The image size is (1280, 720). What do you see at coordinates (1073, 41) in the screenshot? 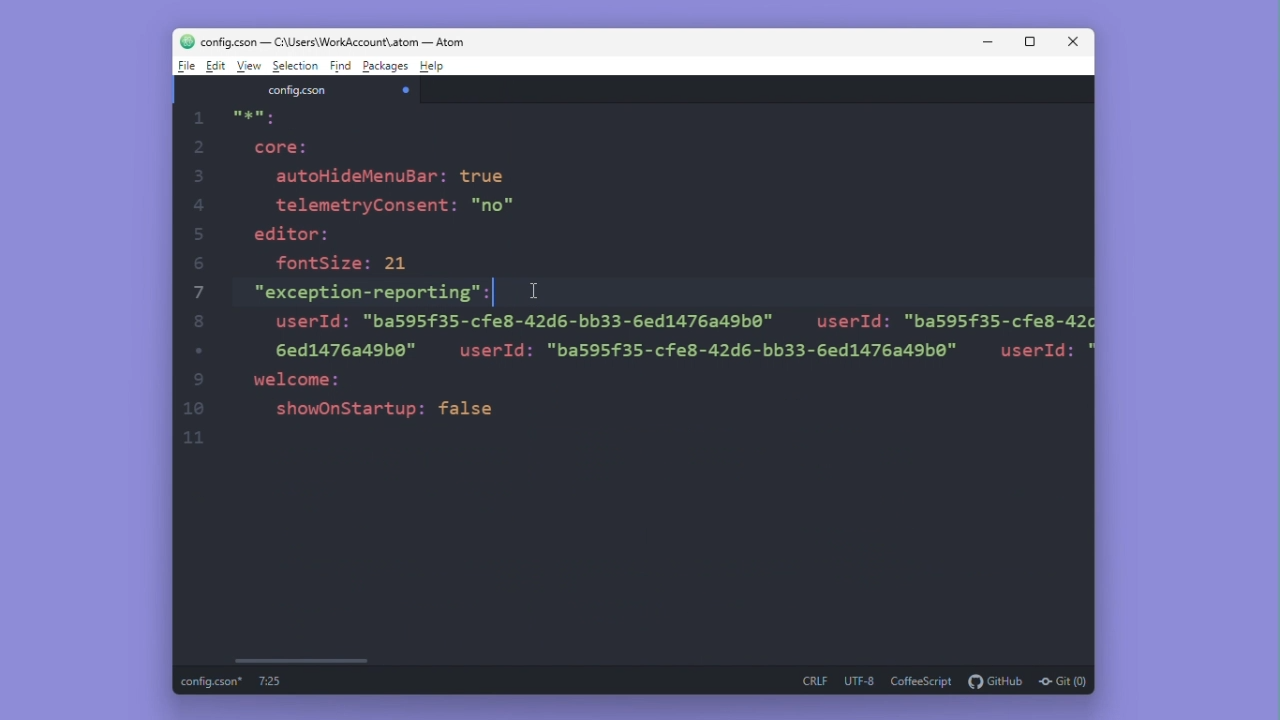
I see `Close` at bounding box center [1073, 41].